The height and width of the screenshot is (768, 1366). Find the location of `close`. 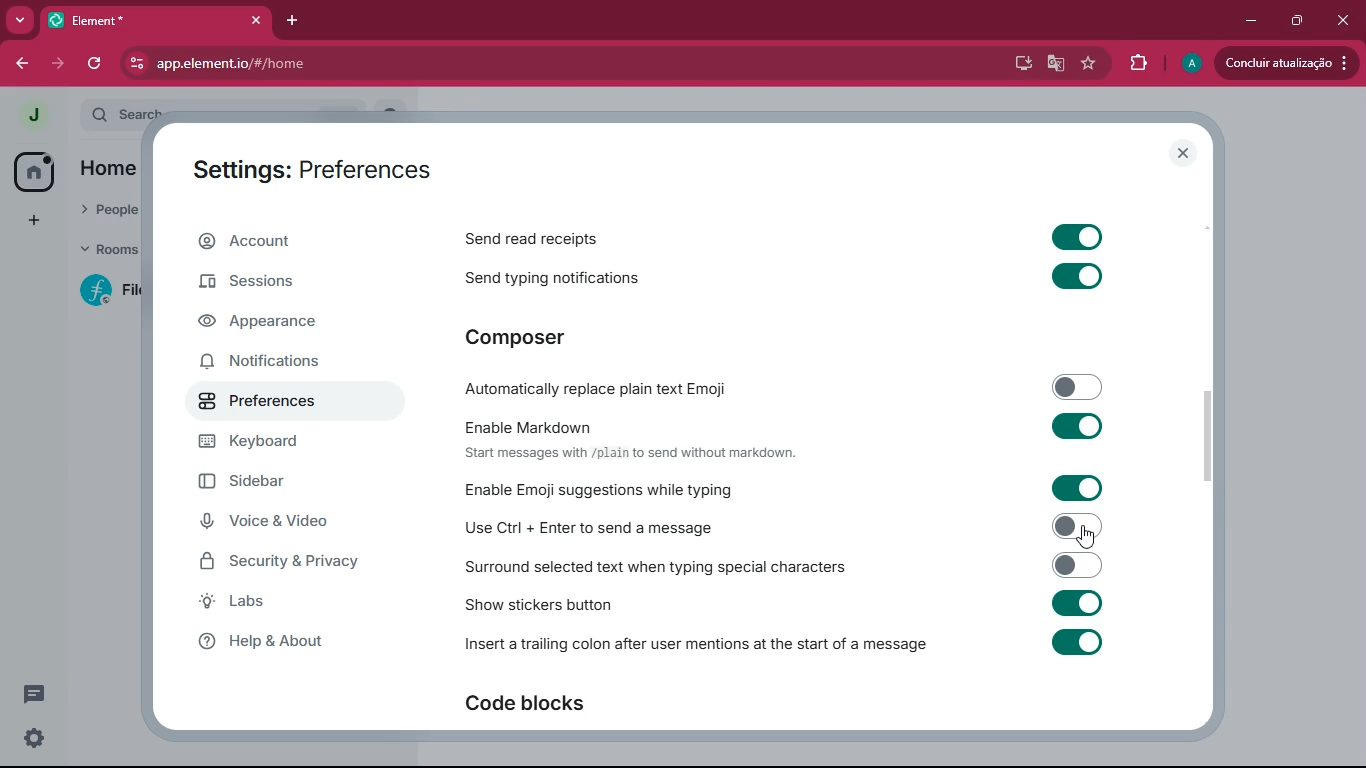

close is located at coordinates (1344, 21).